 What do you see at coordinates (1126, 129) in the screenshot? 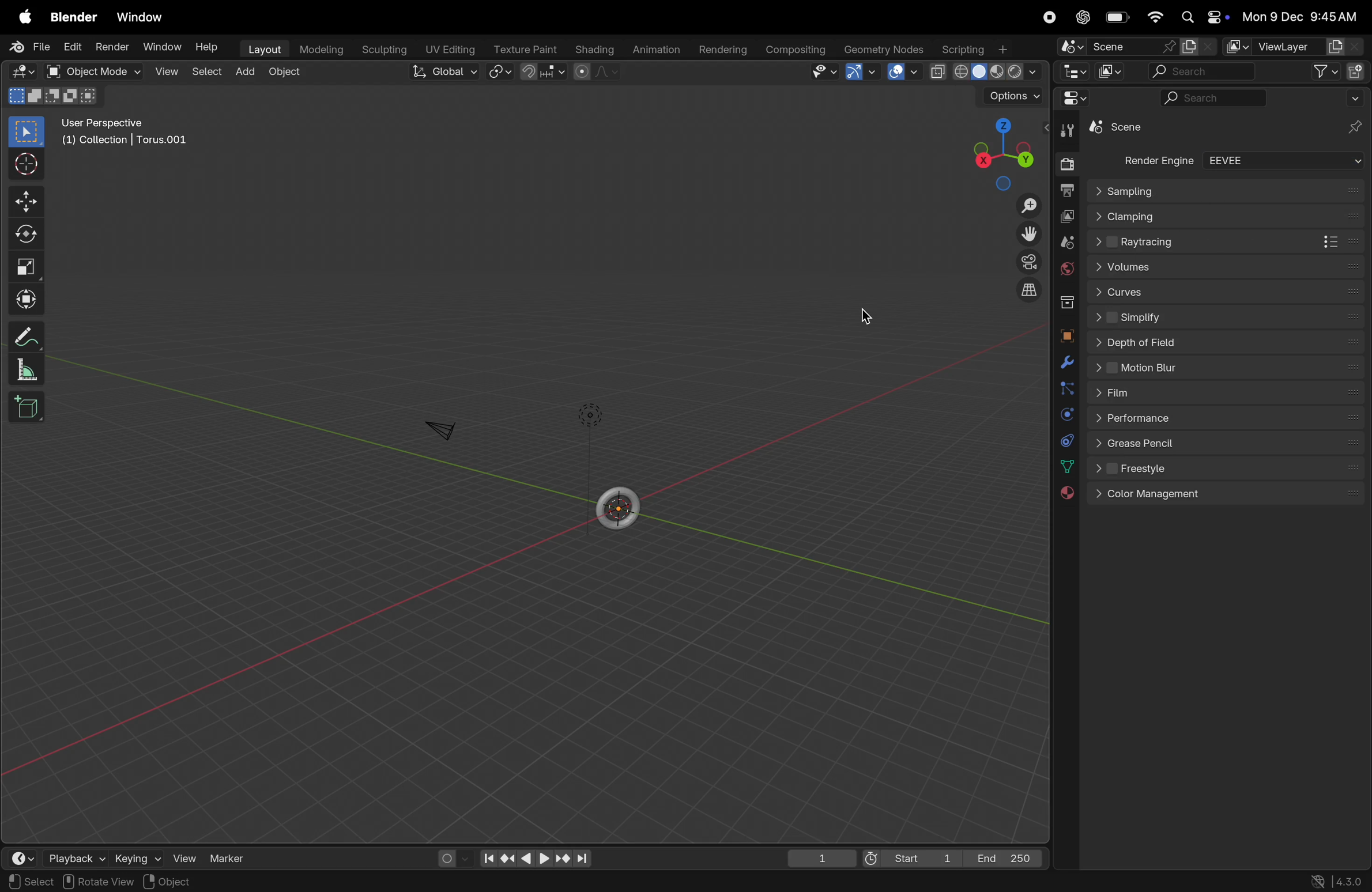
I see `torus 0.01` at bounding box center [1126, 129].